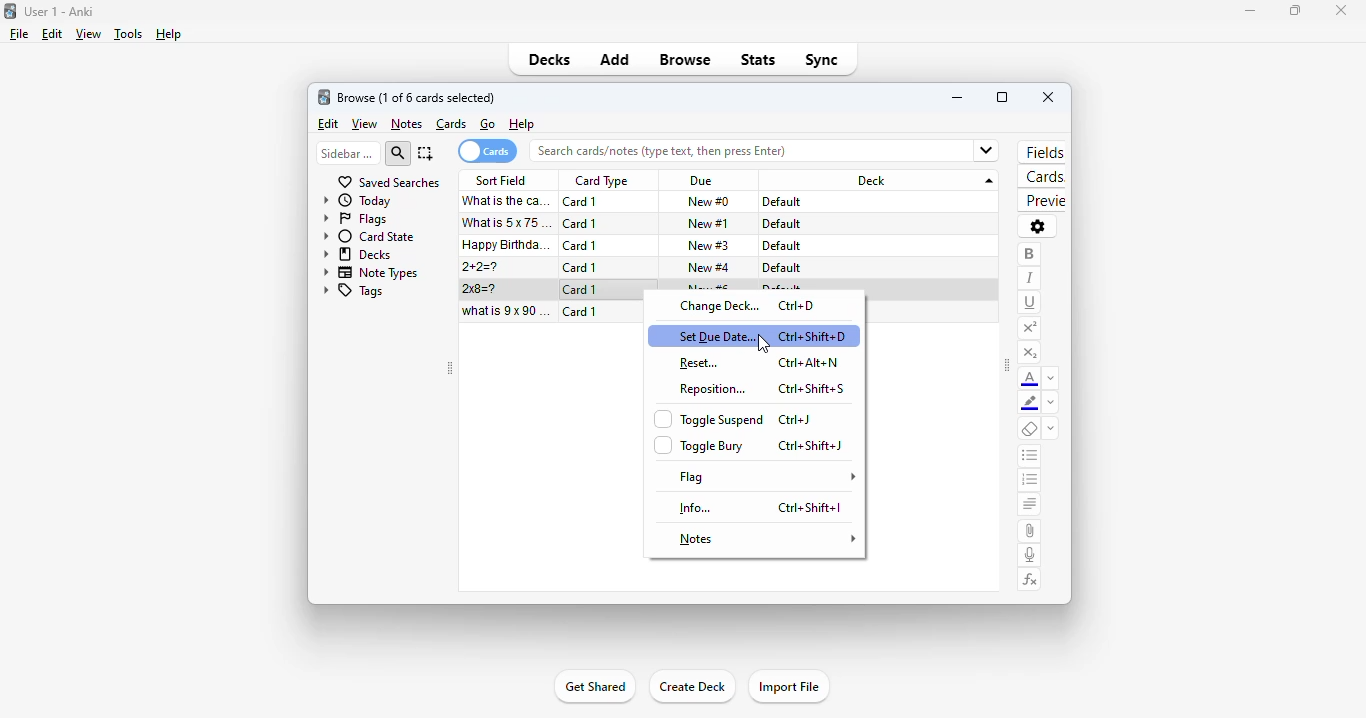 The image size is (1366, 718). Describe the element at coordinates (327, 124) in the screenshot. I see `edit` at that location.